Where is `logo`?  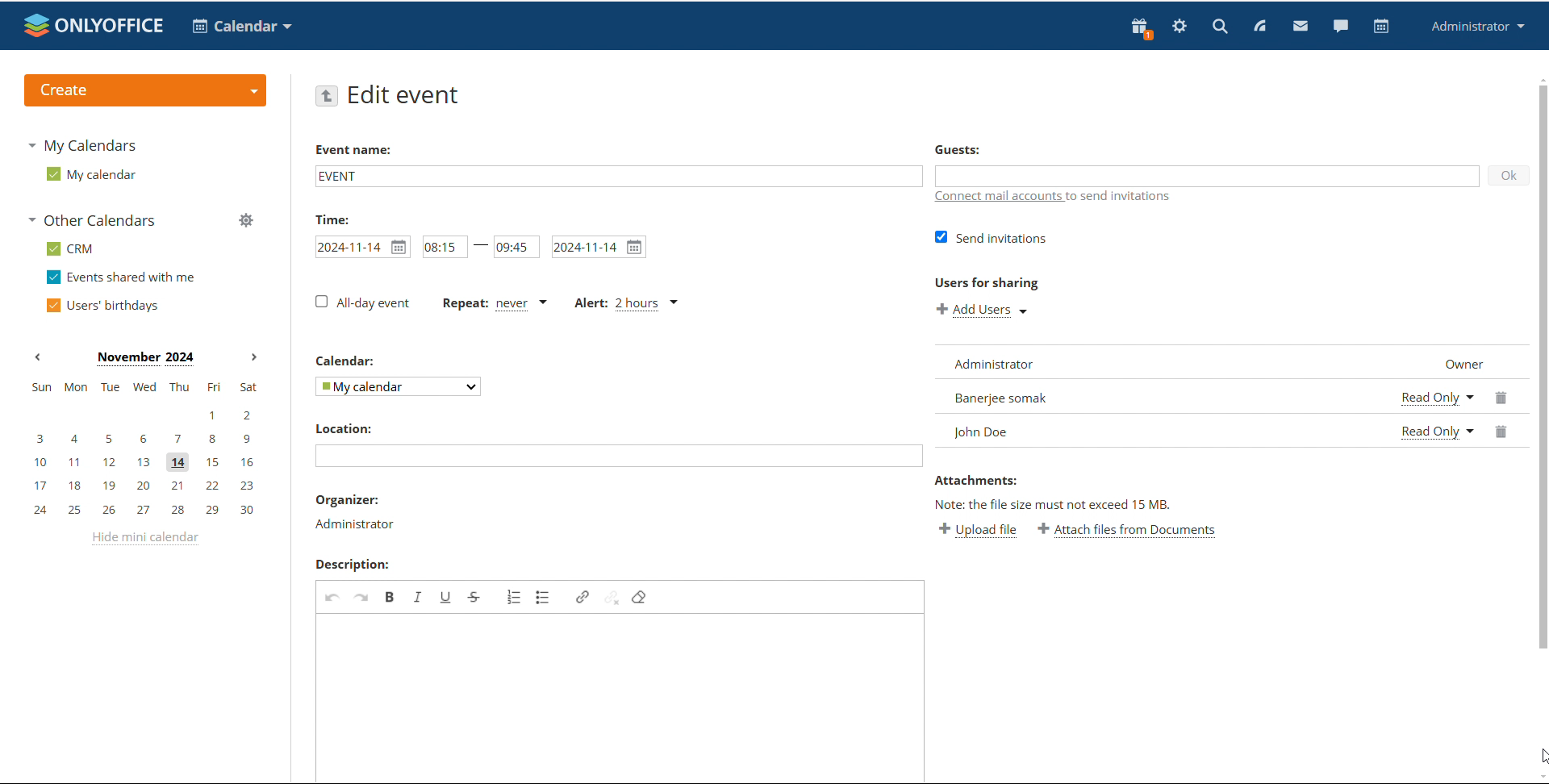 logo is located at coordinates (94, 25).